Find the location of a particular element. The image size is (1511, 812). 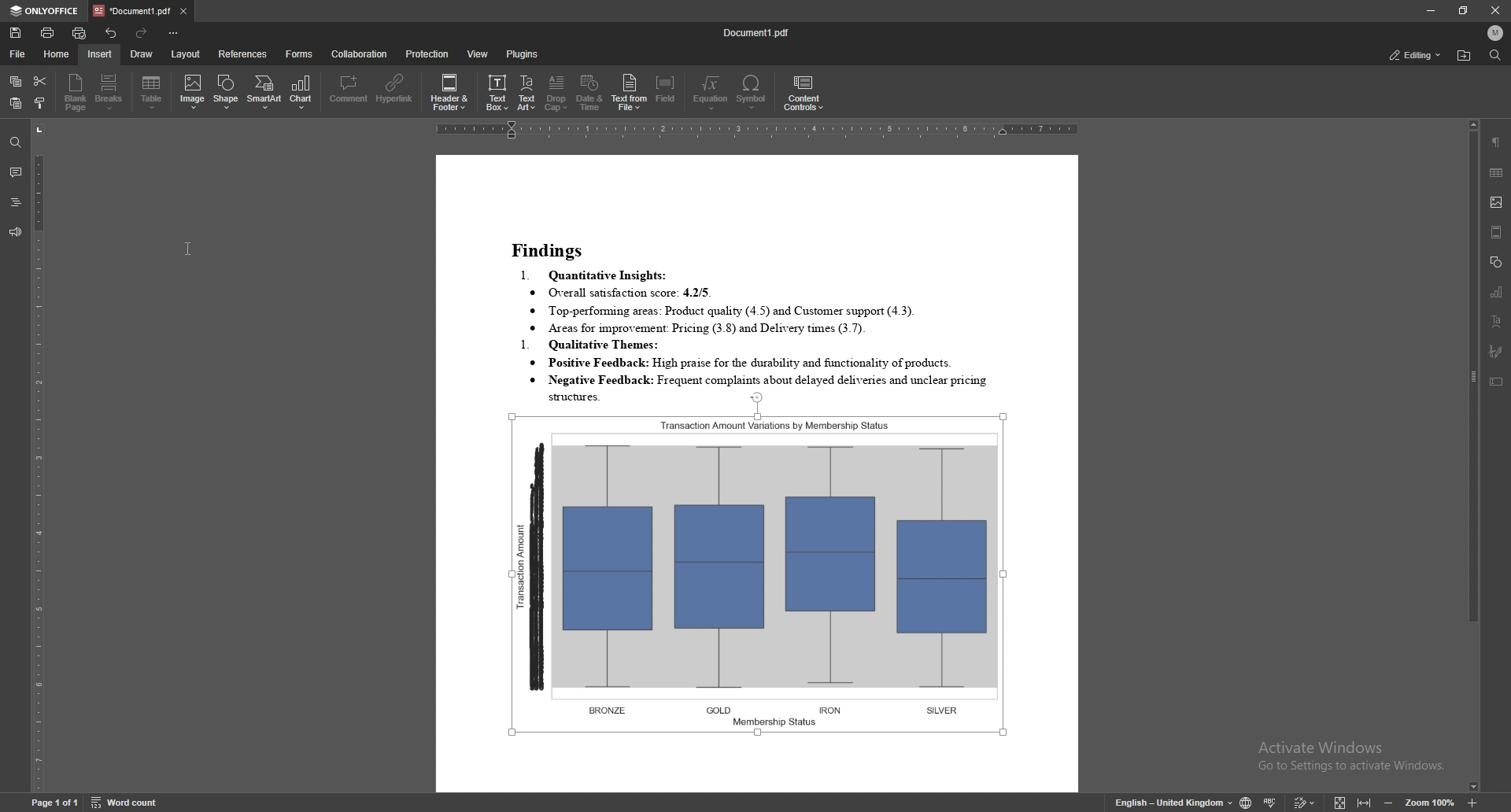

references is located at coordinates (243, 54).